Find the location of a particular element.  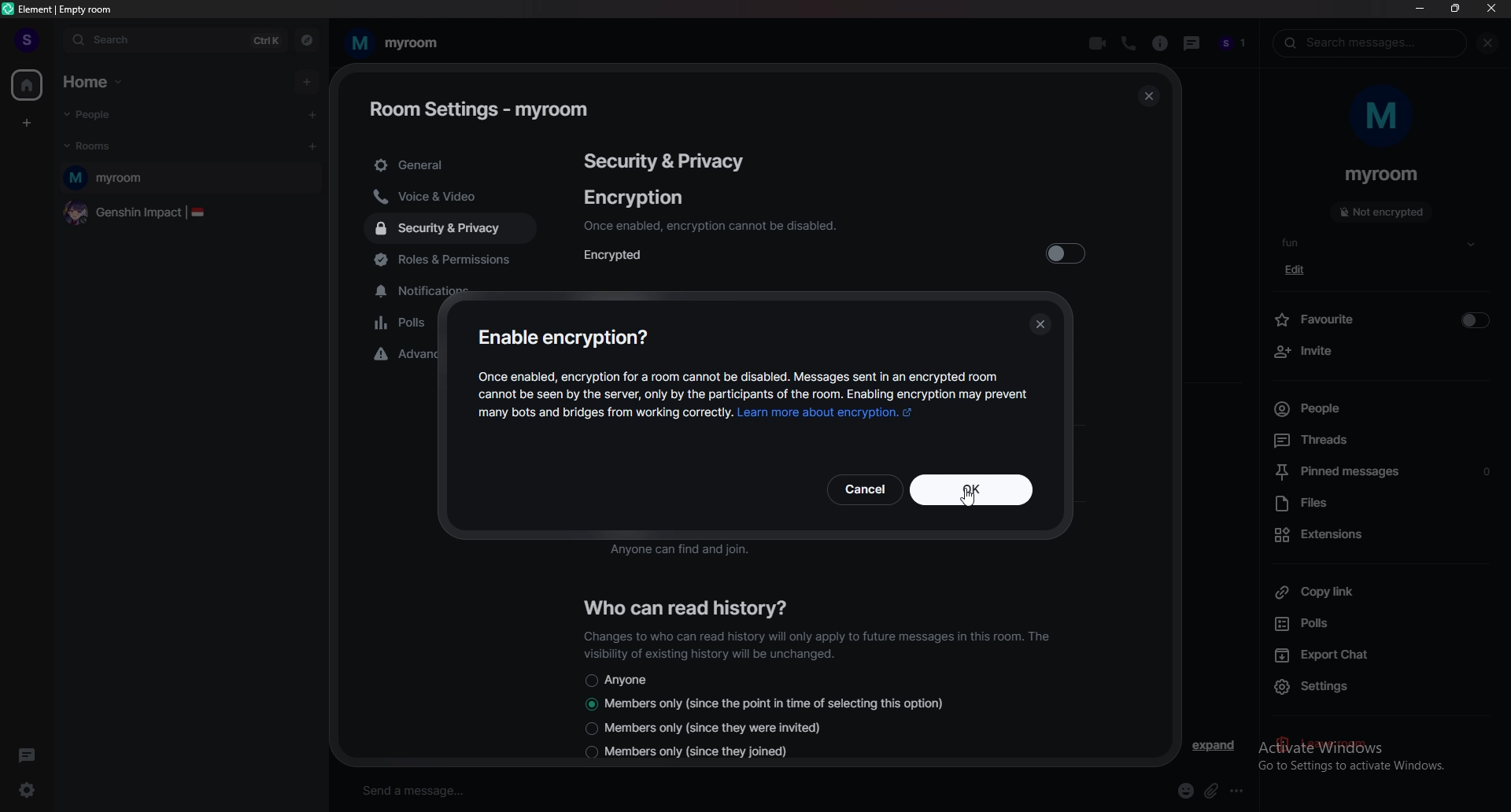

roles and permissions is located at coordinates (464, 262).